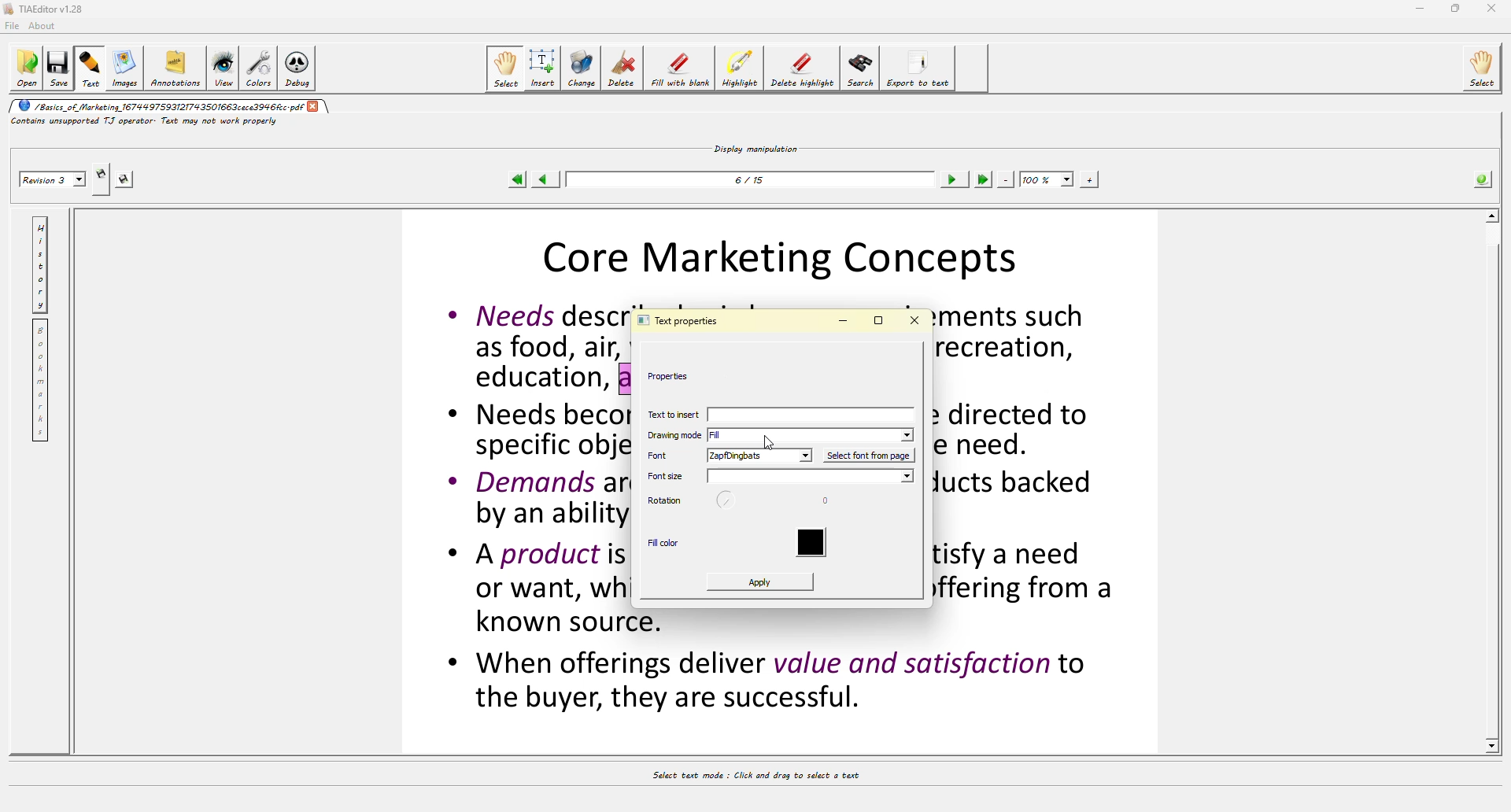 The image size is (1511, 812). What do you see at coordinates (42, 8) in the screenshot?
I see `TIAEditor v1.28` at bounding box center [42, 8].